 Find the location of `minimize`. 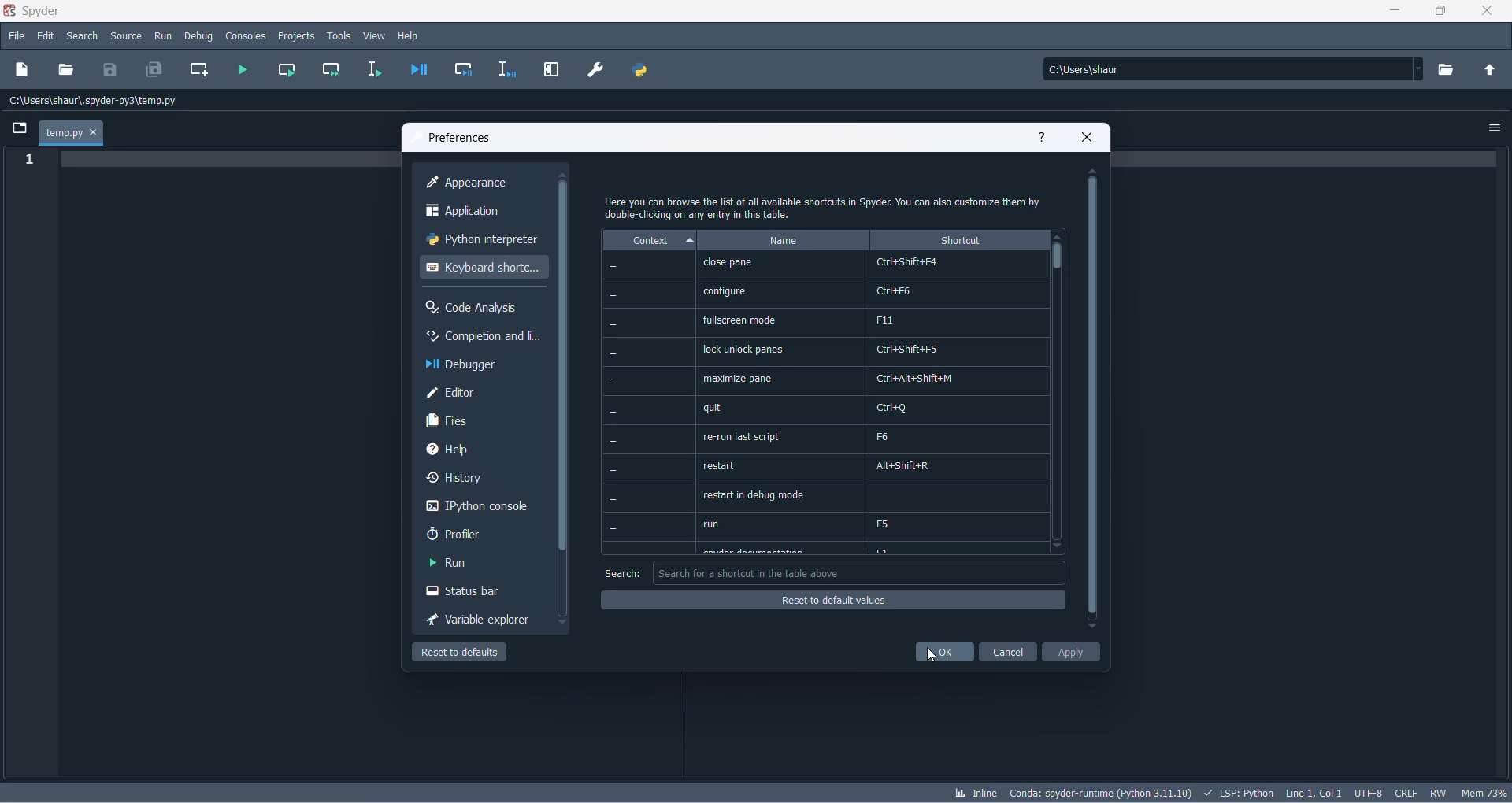

minimize is located at coordinates (1395, 16).